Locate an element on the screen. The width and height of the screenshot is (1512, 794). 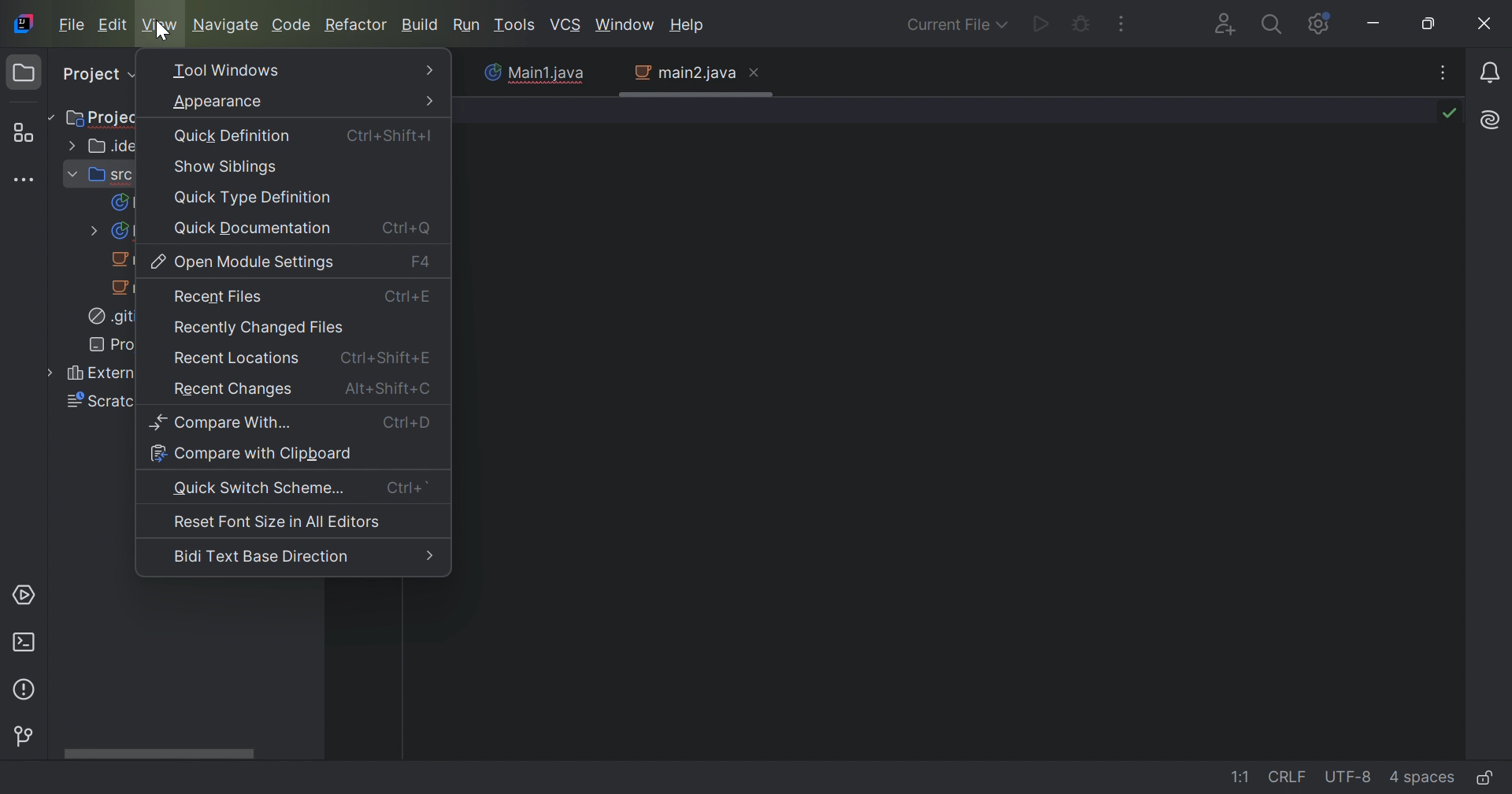
Project.iml is located at coordinates (112, 344).